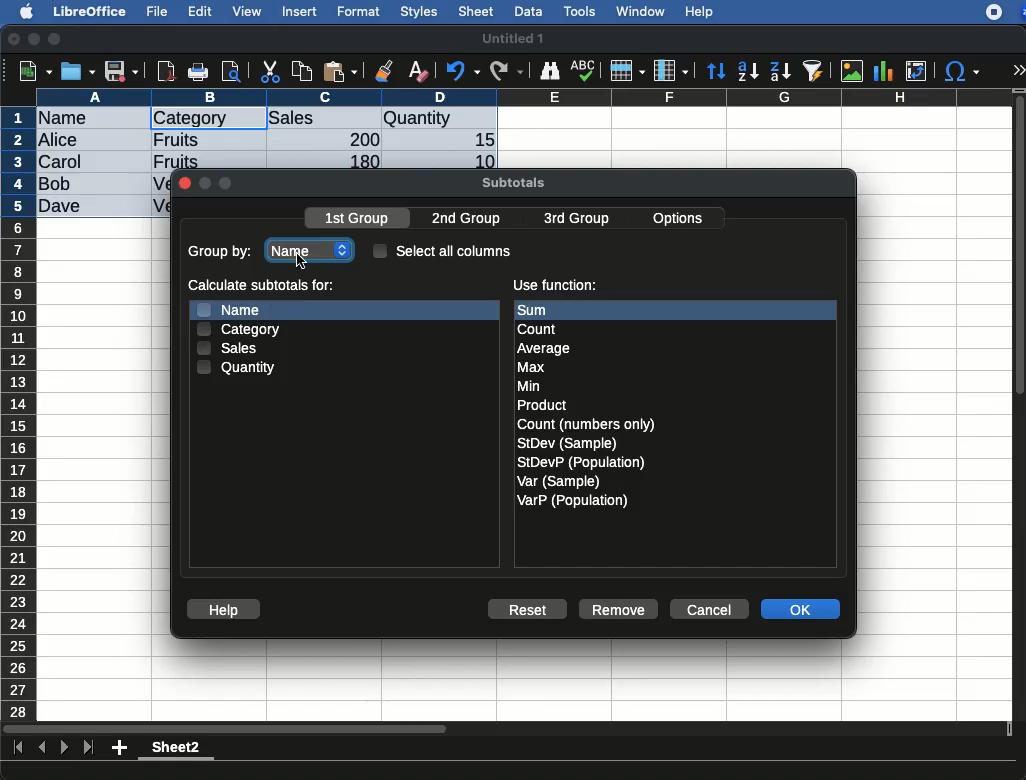 The width and height of the screenshot is (1026, 780). I want to click on VarP (Population), so click(572, 501).